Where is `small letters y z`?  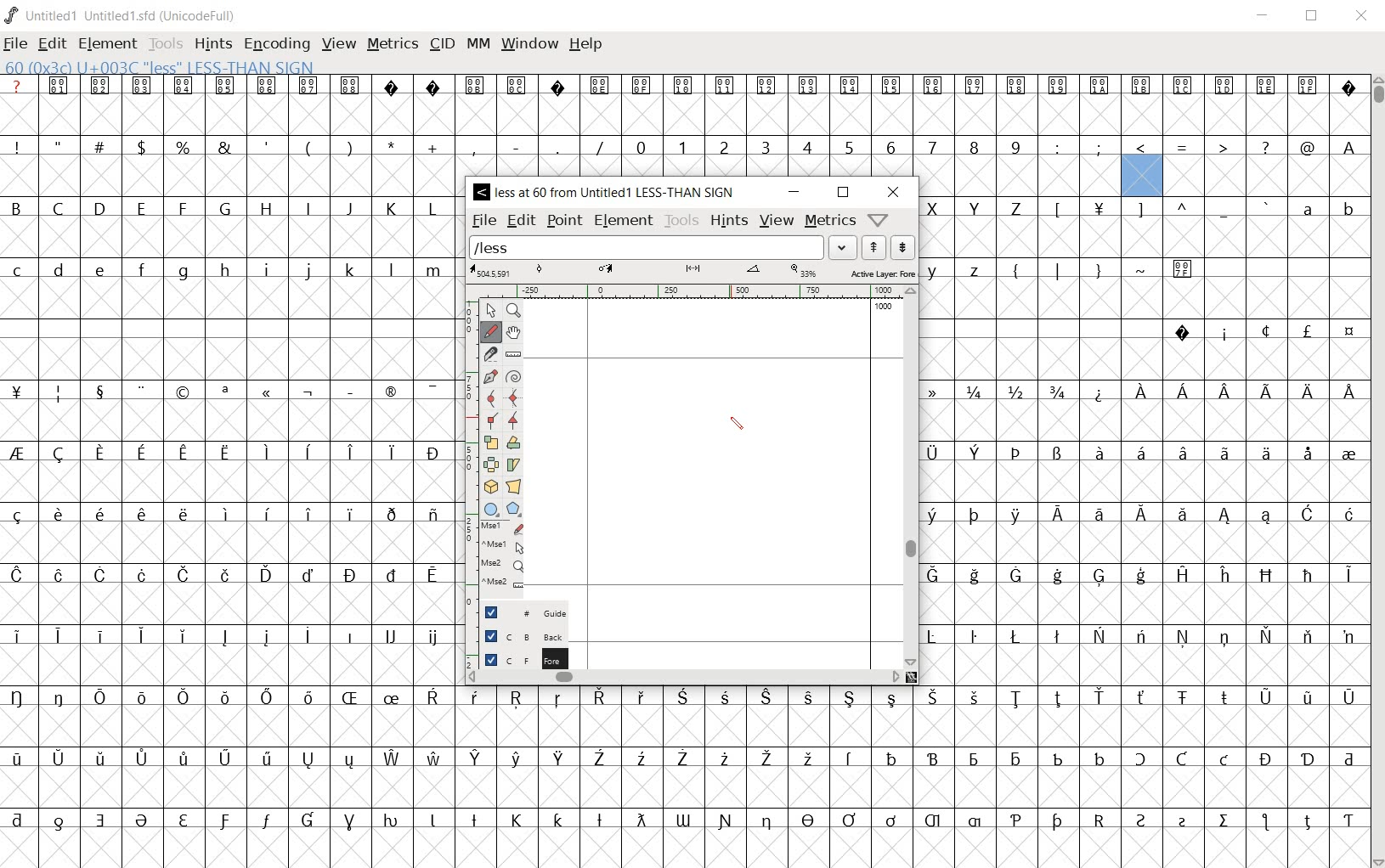 small letters y z is located at coordinates (961, 268).